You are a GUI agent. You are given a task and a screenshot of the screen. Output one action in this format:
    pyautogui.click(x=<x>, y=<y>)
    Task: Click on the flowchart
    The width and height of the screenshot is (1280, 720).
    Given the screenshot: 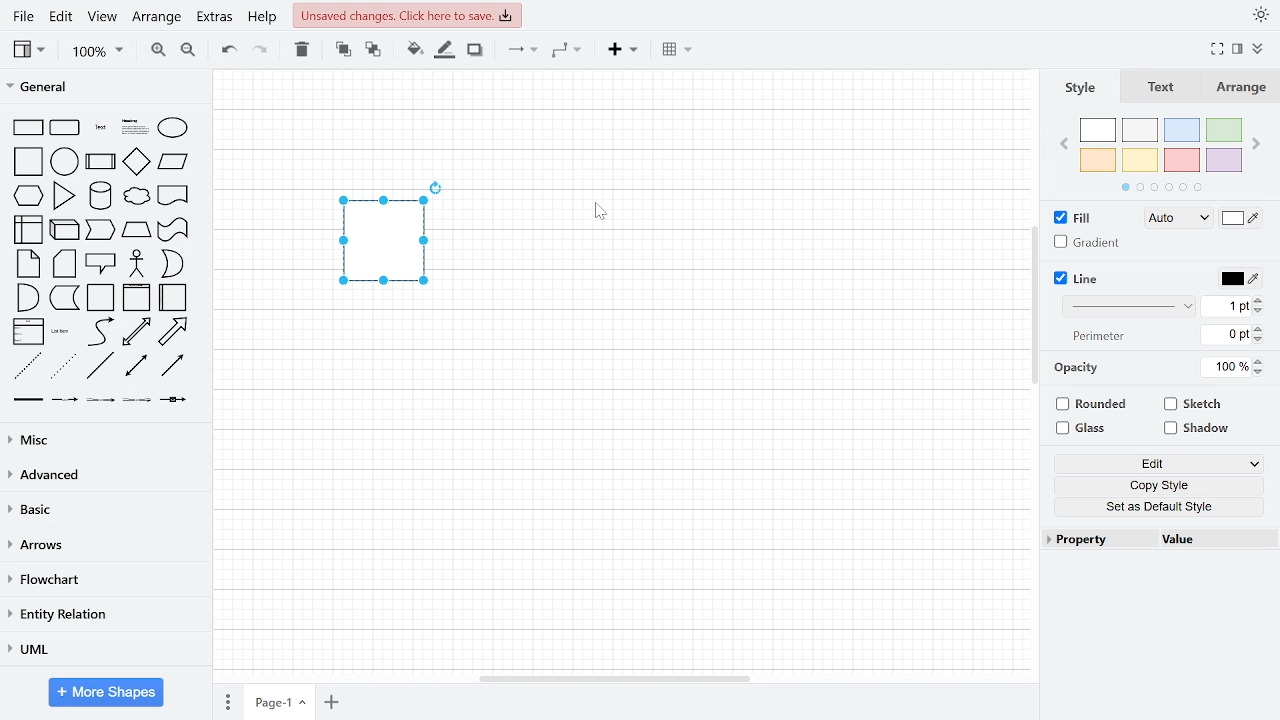 What is the action you would take?
    pyautogui.click(x=99, y=579)
    